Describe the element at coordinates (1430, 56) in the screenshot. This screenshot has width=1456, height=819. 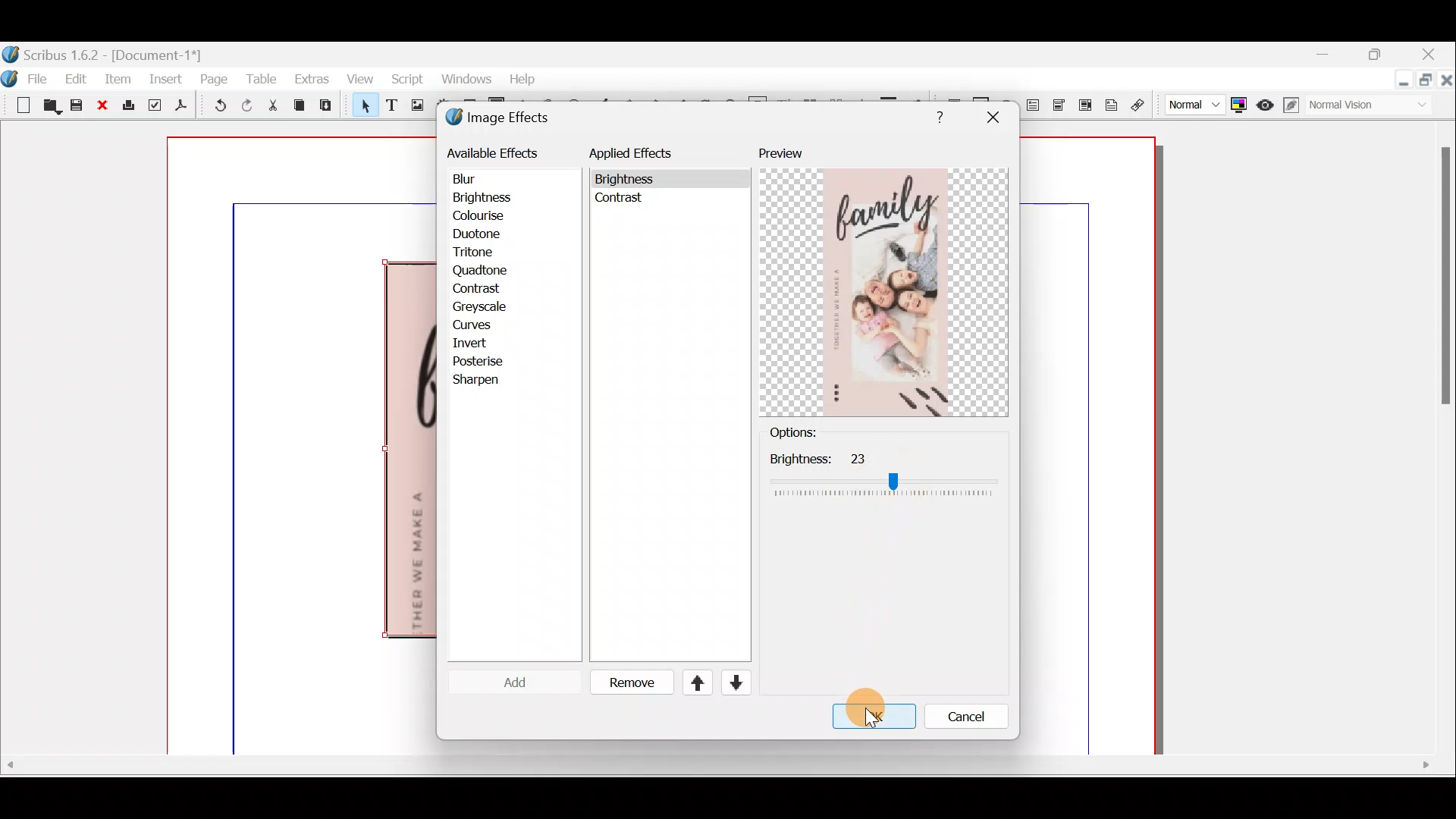
I see `Close` at that location.